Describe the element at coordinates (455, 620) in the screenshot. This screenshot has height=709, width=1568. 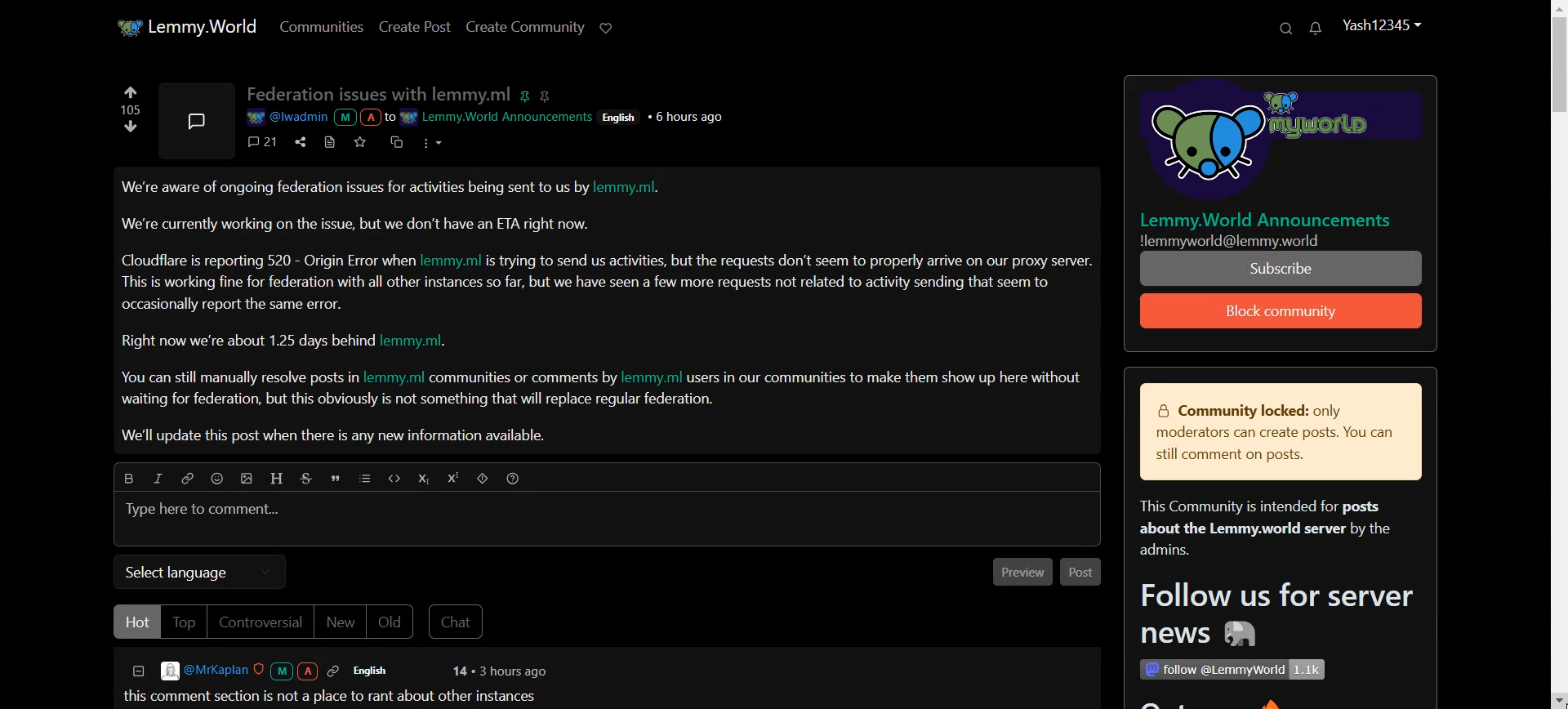
I see `Chat` at that location.